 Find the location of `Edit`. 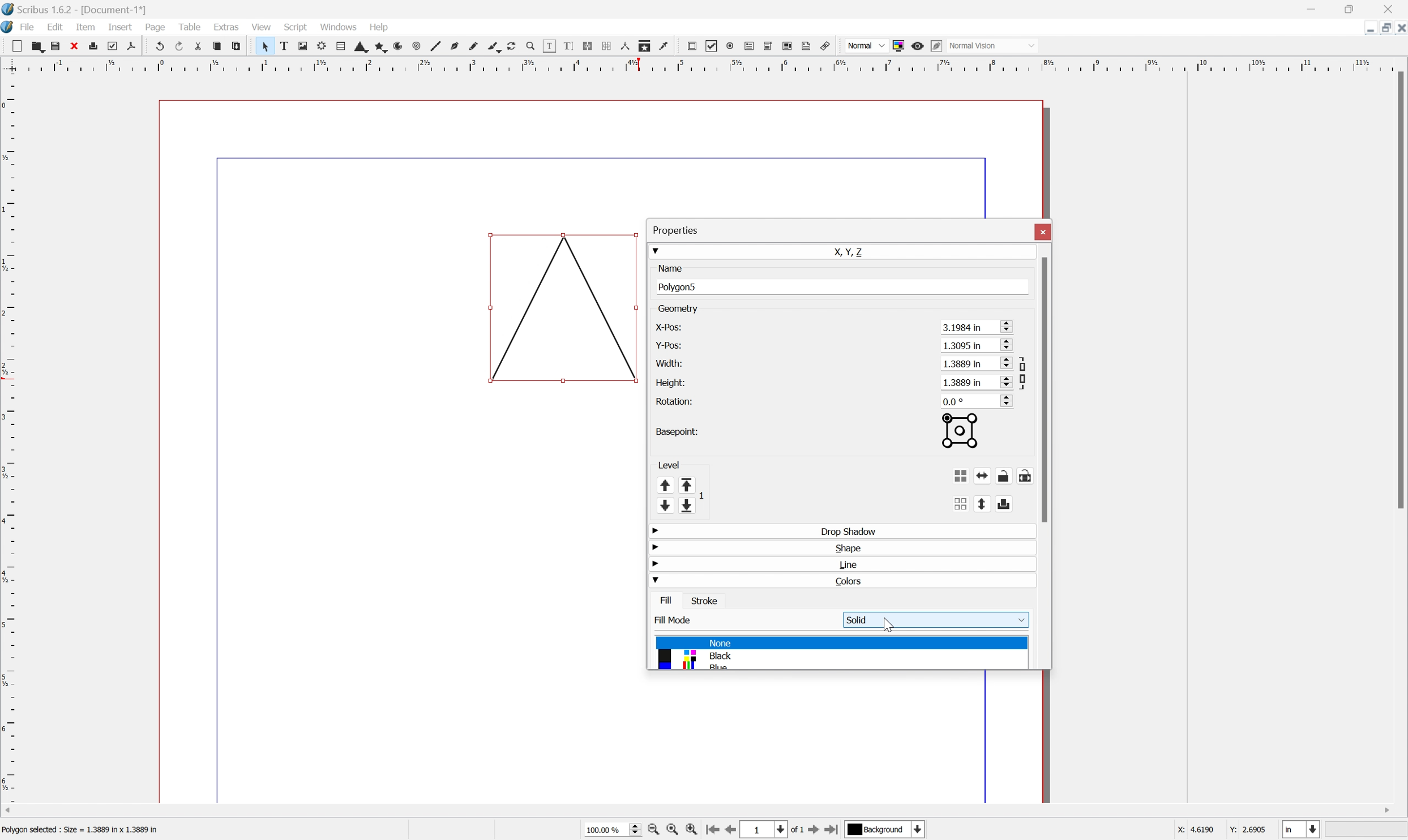

Edit is located at coordinates (57, 27).